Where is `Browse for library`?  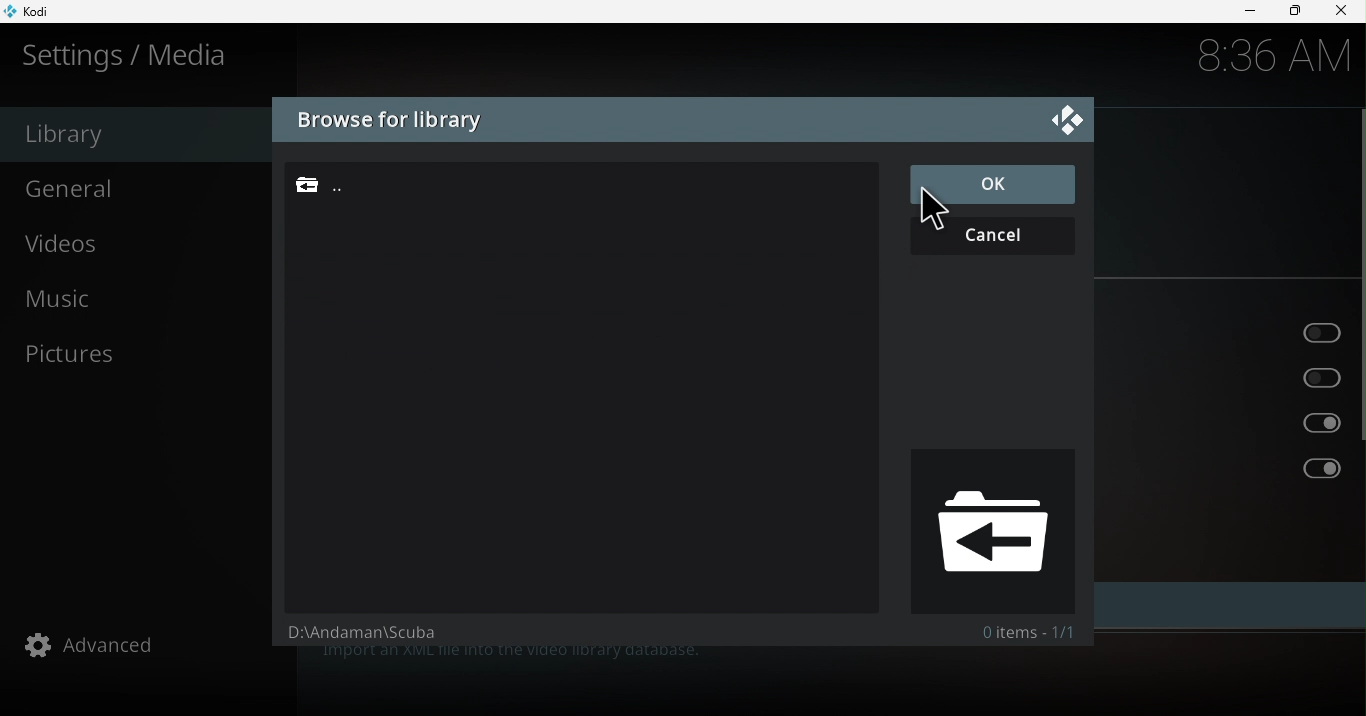
Browse for library is located at coordinates (389, 121).